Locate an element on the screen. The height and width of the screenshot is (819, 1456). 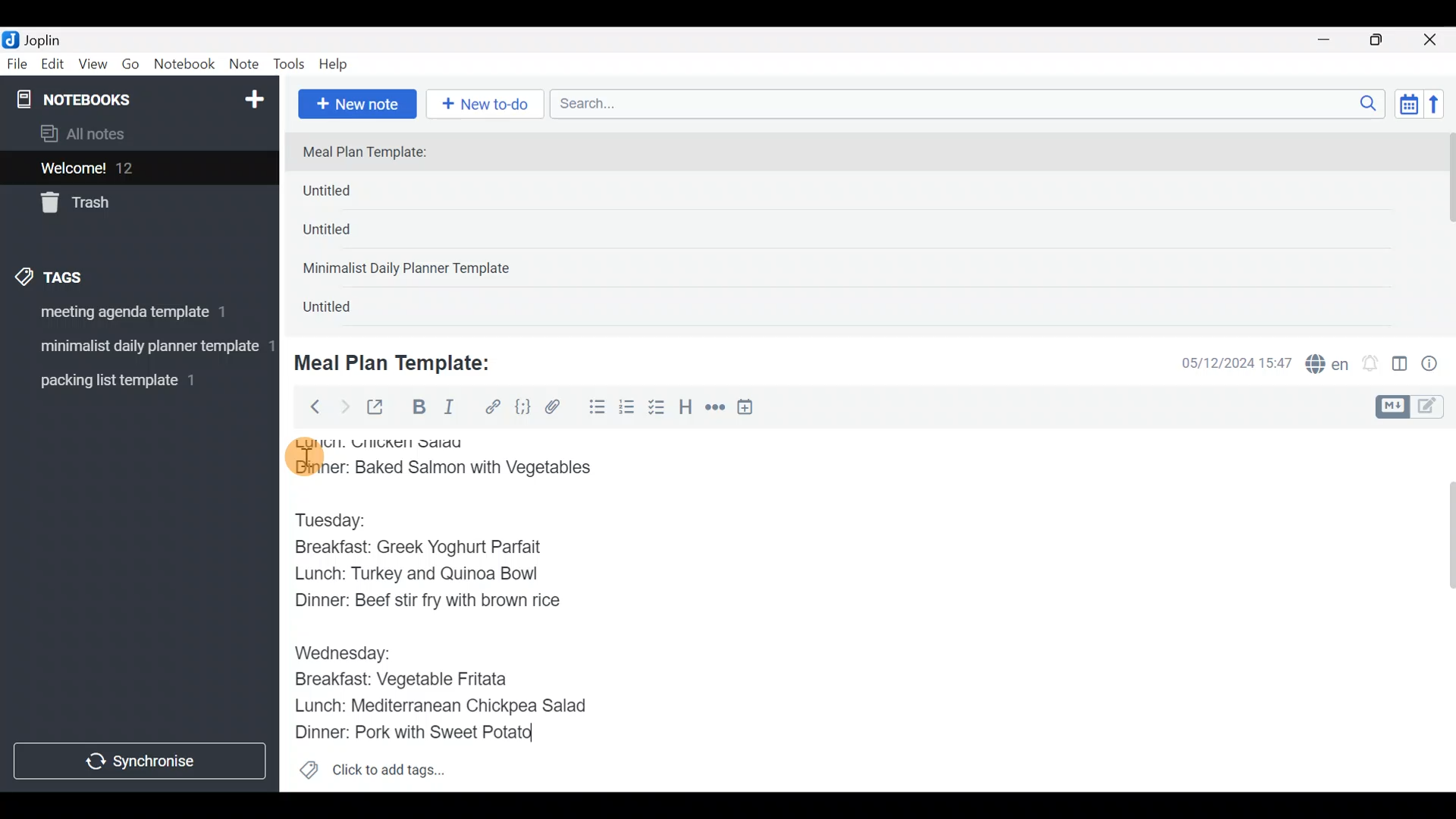
View is located at coordinates (93, 67).